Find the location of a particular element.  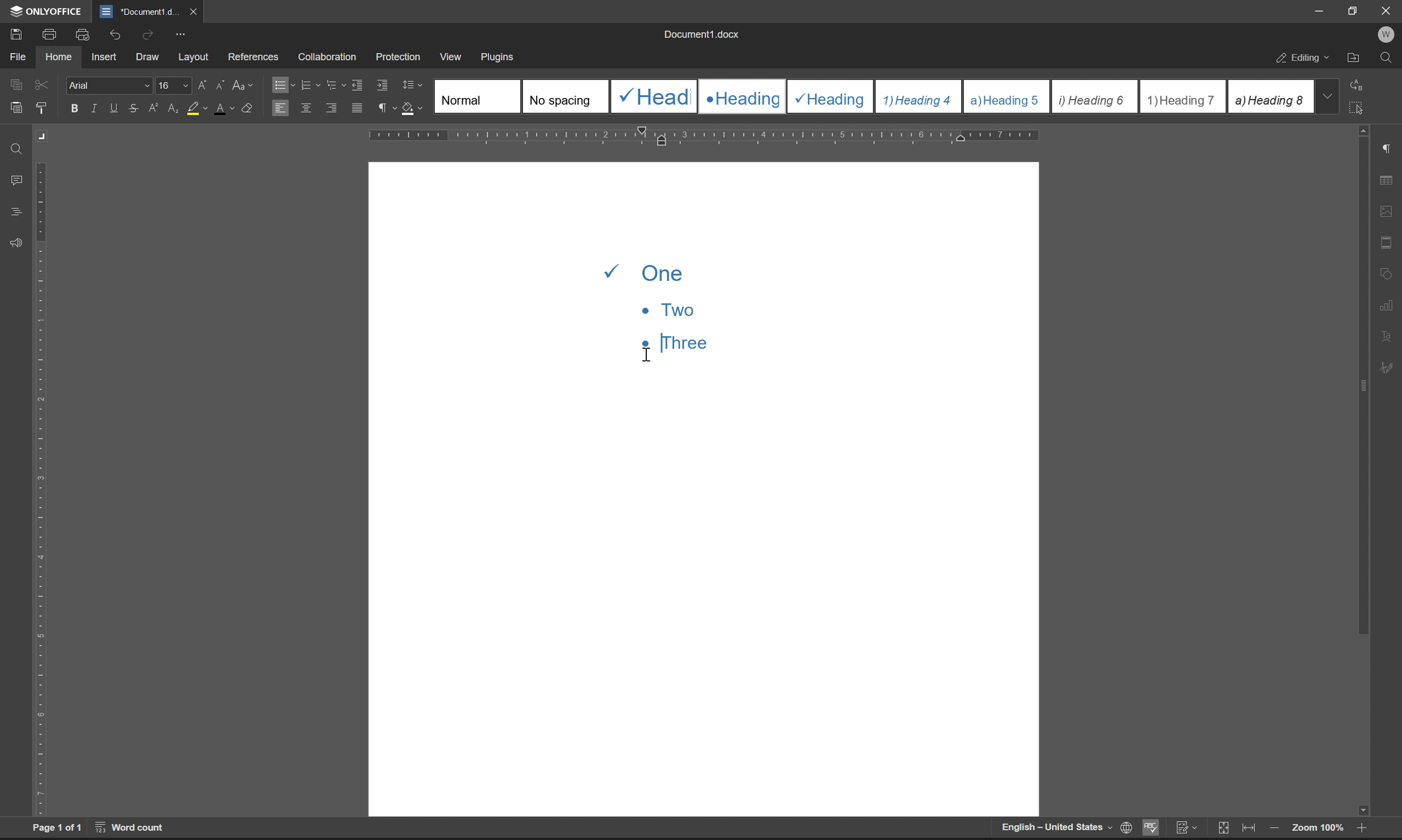

drop down is located at coordinates (1327, 96).